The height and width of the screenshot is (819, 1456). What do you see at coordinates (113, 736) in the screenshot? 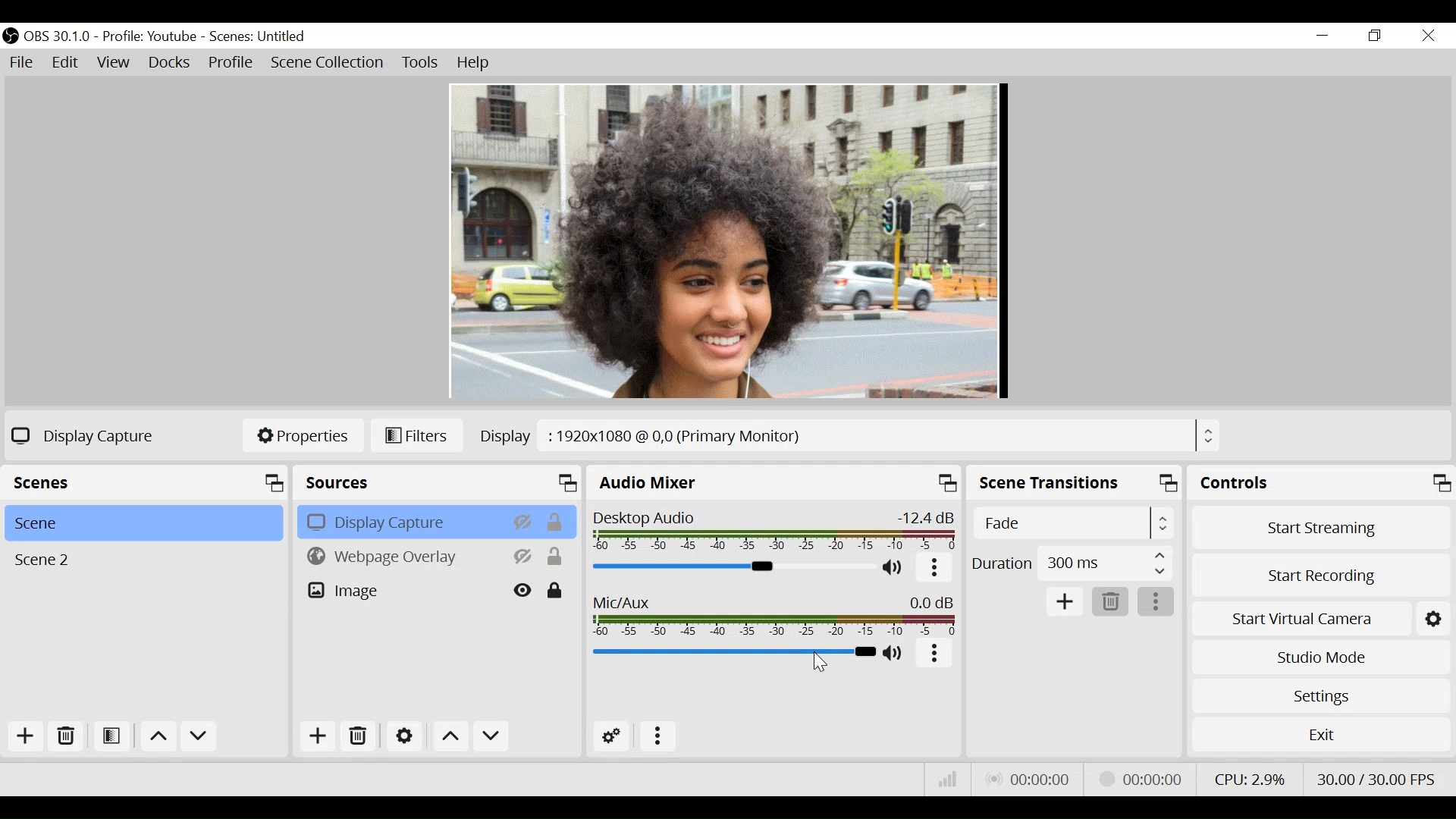
I see `Open Filter Scene` at bounding box center [113, 736].